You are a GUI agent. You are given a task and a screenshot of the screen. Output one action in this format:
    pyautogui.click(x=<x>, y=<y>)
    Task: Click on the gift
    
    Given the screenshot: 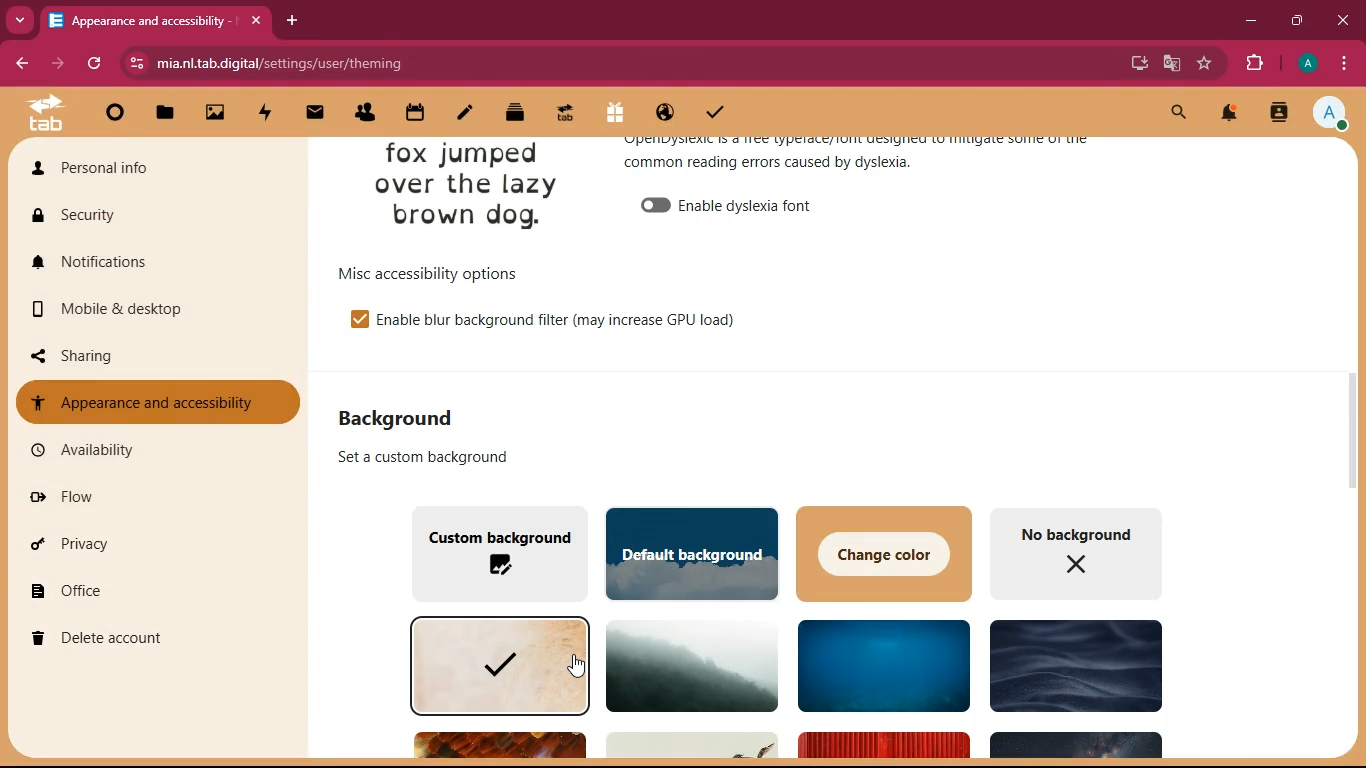 What is the action you would take?
    pyautogui.click(x=616, y=114)
    